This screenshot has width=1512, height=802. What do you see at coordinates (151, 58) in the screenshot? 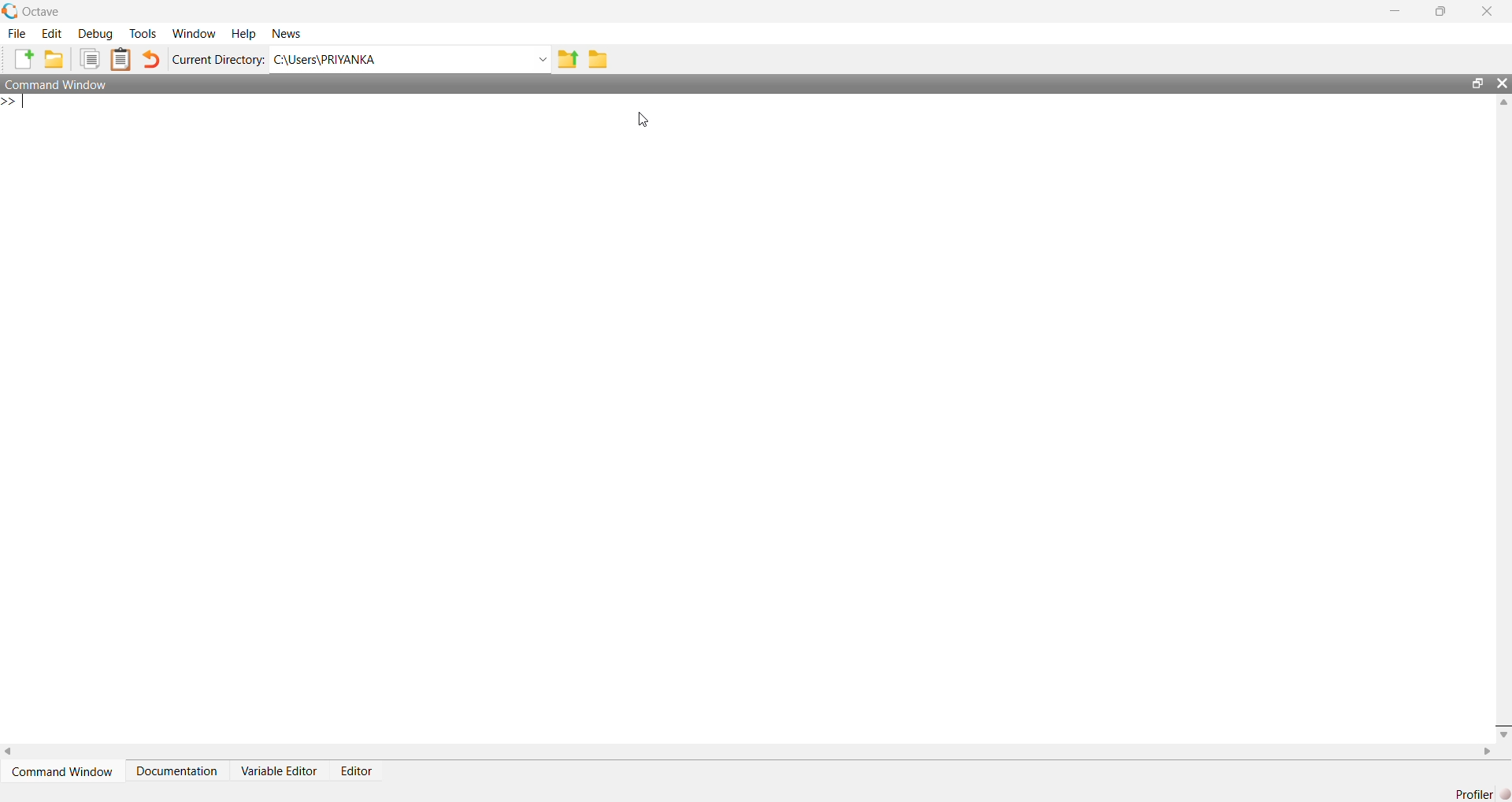
I see `Undo` at bounding box center [151, 58].